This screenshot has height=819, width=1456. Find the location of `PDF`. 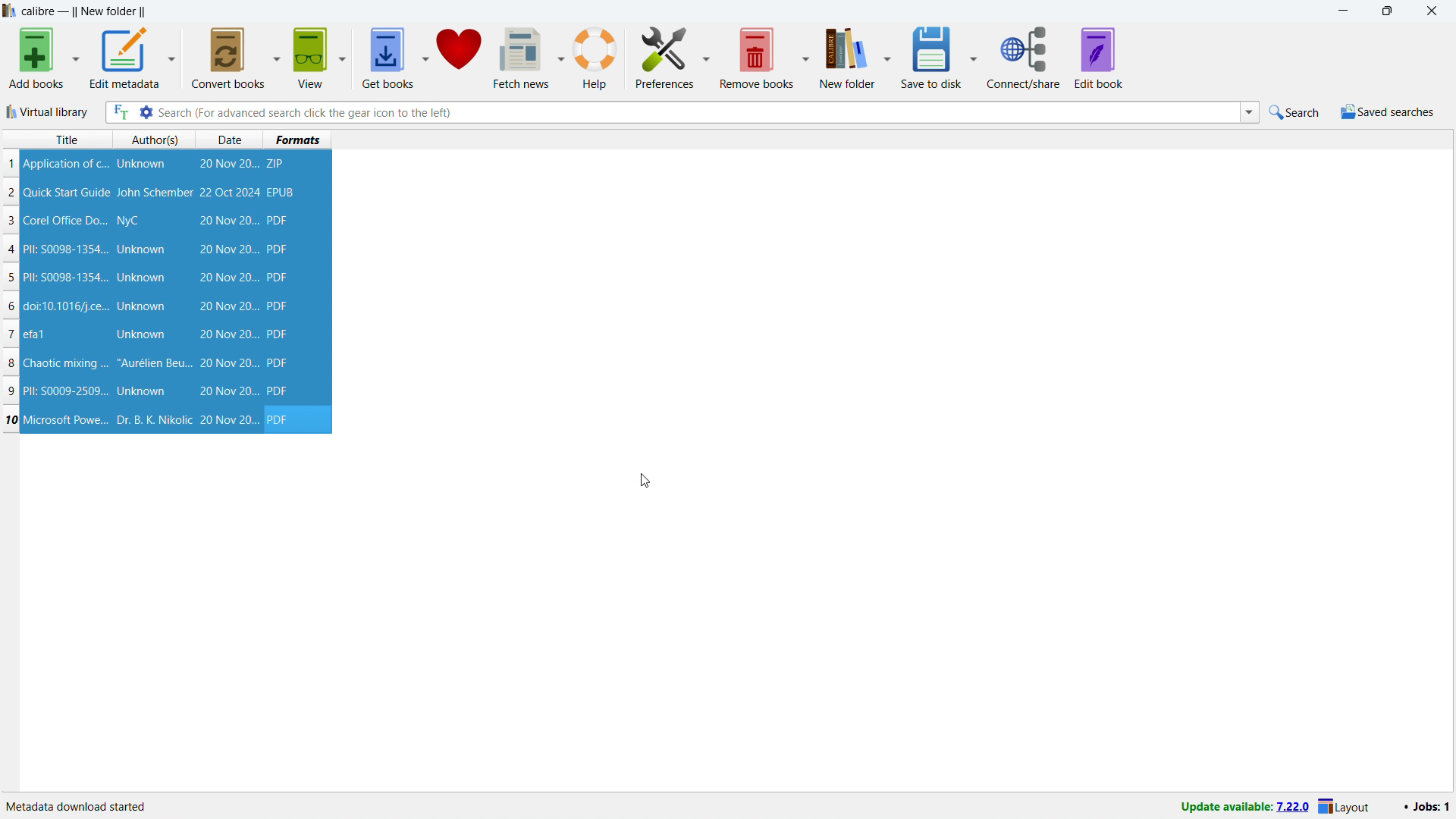

PDF is located at coordinates (279, 306).